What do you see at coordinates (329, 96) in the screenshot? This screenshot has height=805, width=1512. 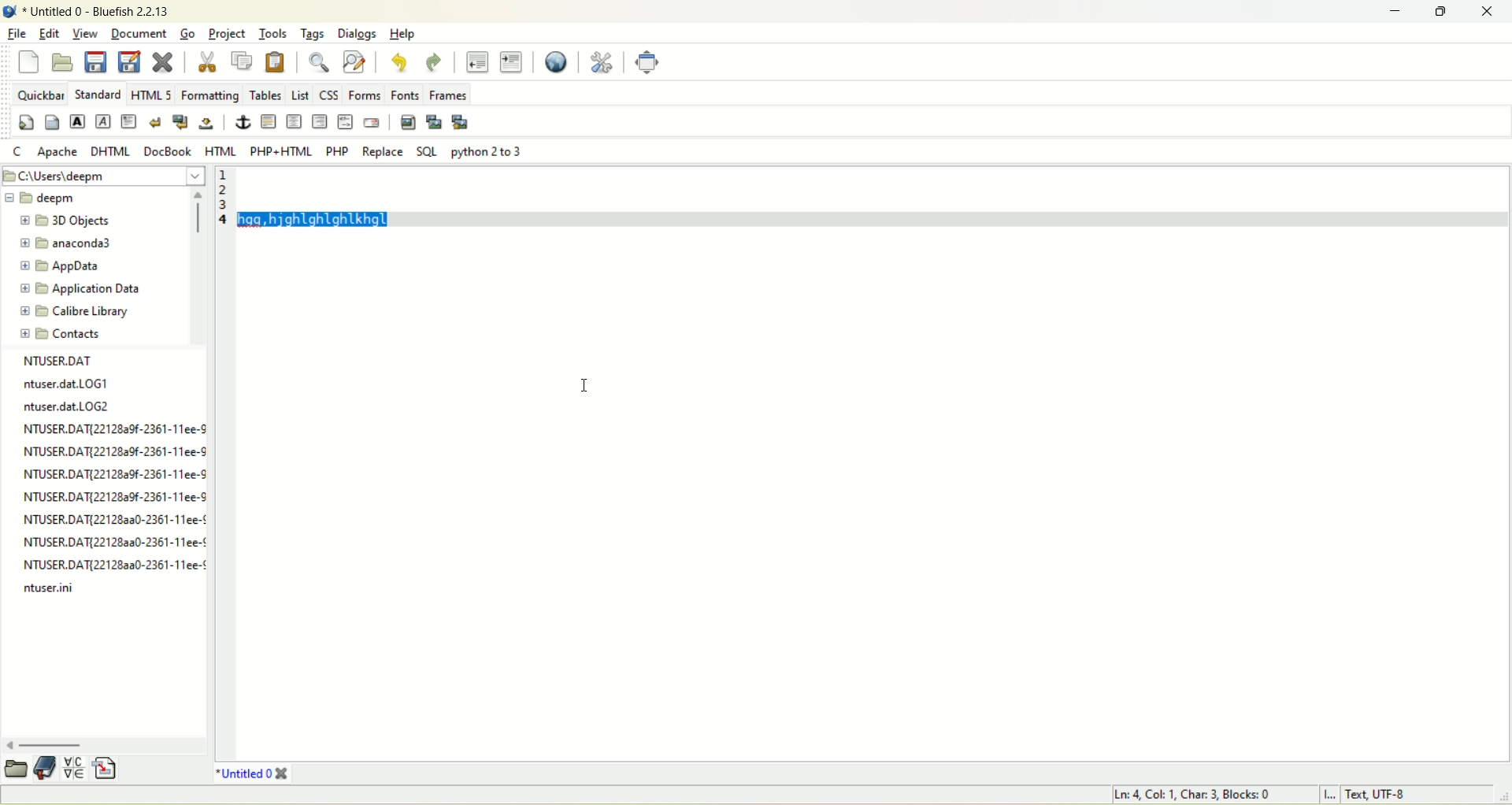 I see `css` at bounding box center [329, 96].